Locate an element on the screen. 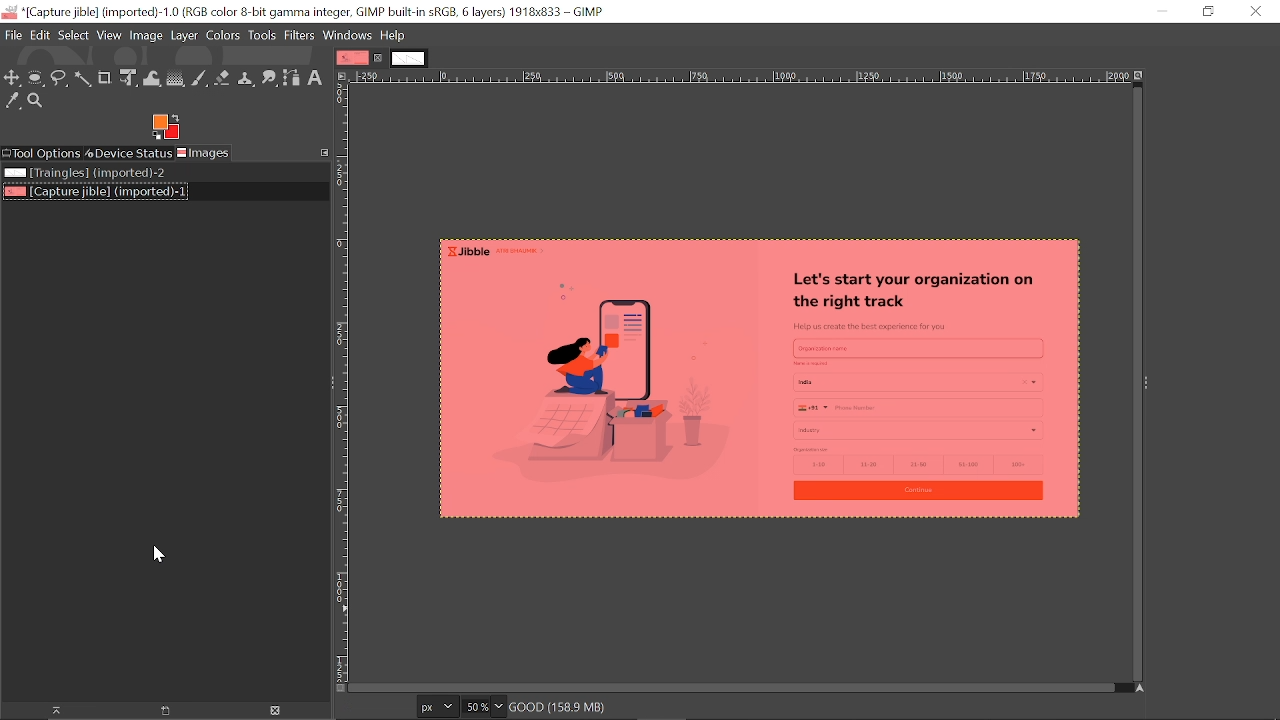  Move tool is located at coordinates (13, 78).